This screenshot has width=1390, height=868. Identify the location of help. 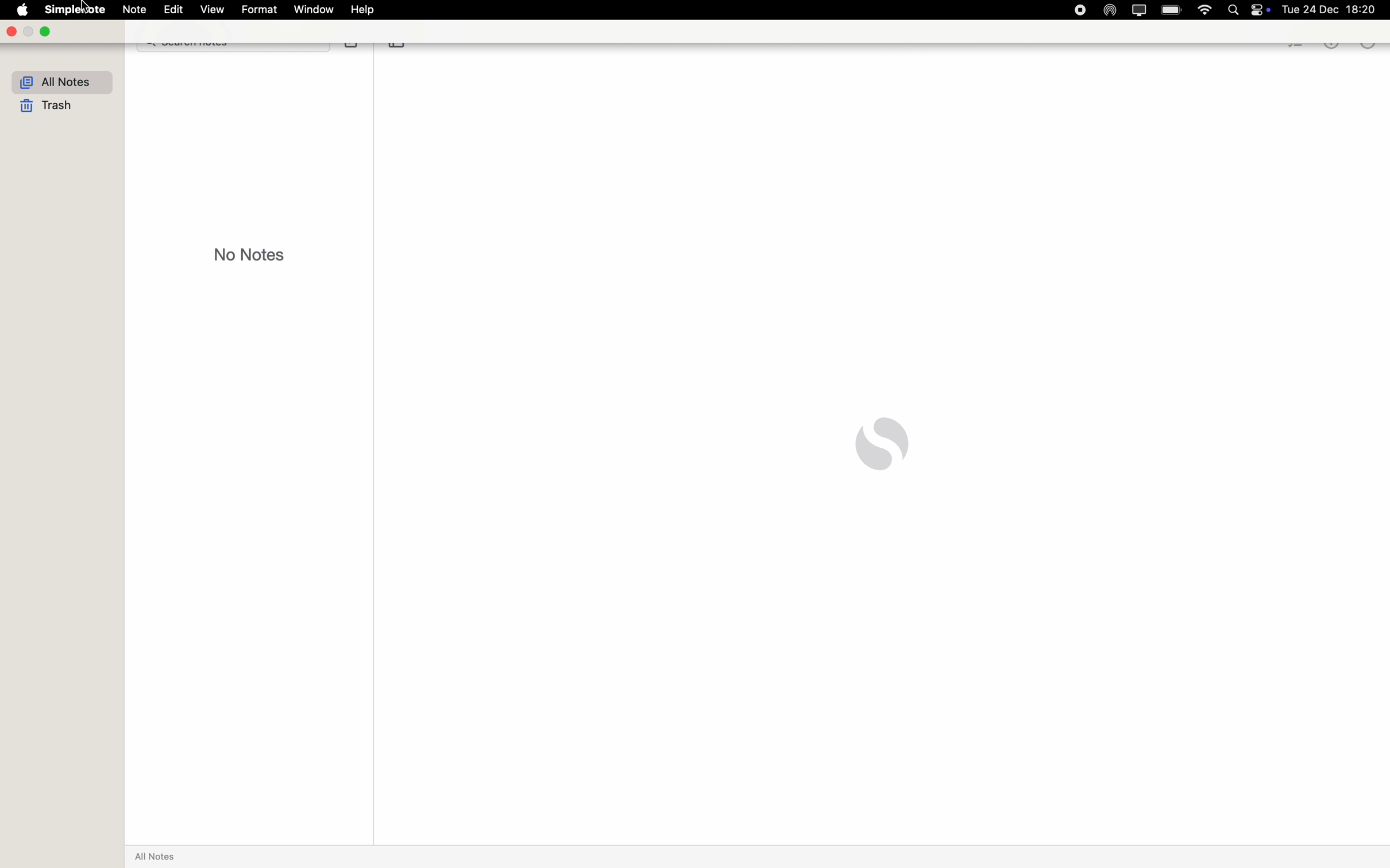
(366, 10).